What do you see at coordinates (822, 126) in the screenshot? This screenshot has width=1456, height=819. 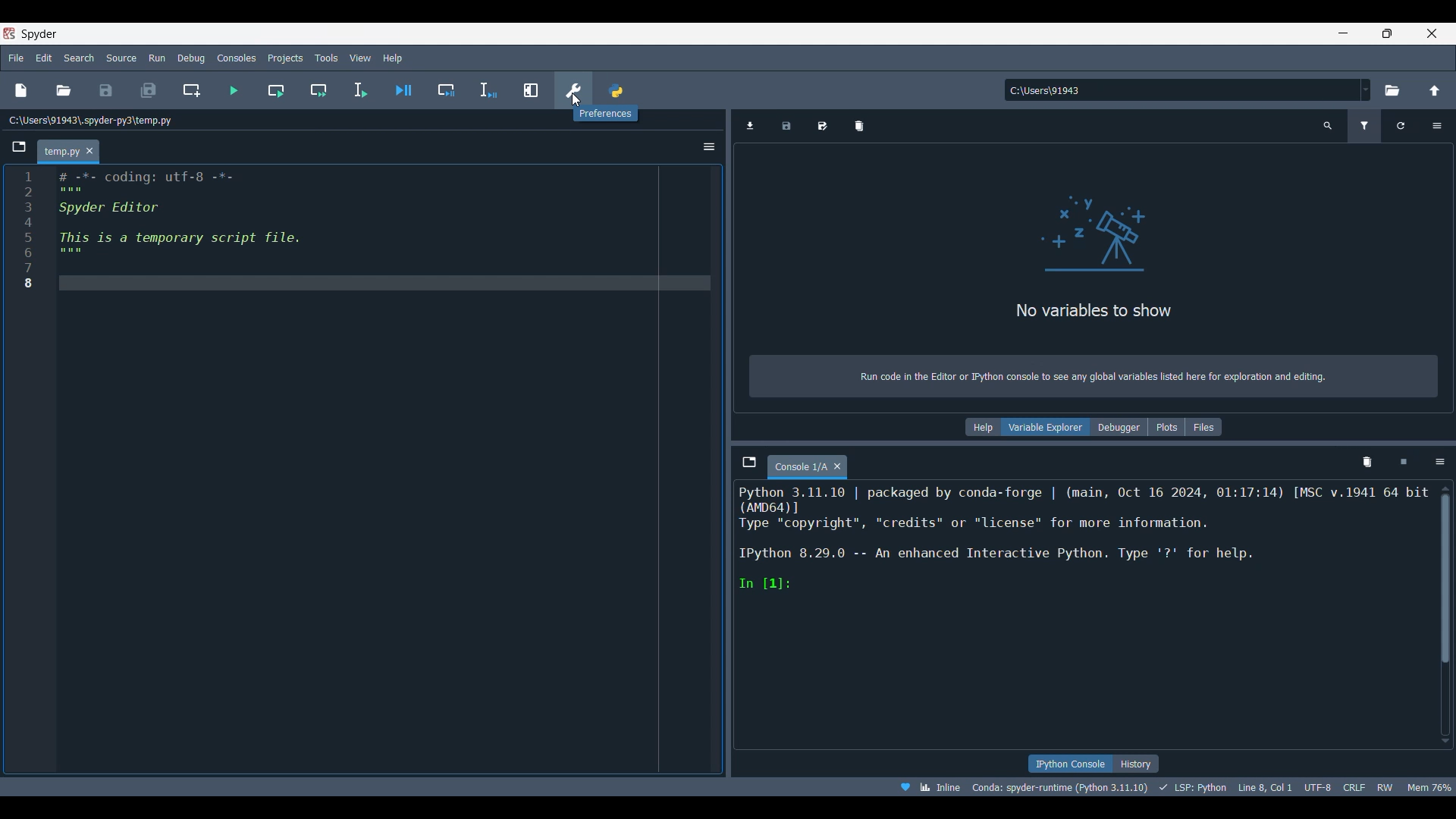 I see `Save data as` at bounding box center [822, 126].